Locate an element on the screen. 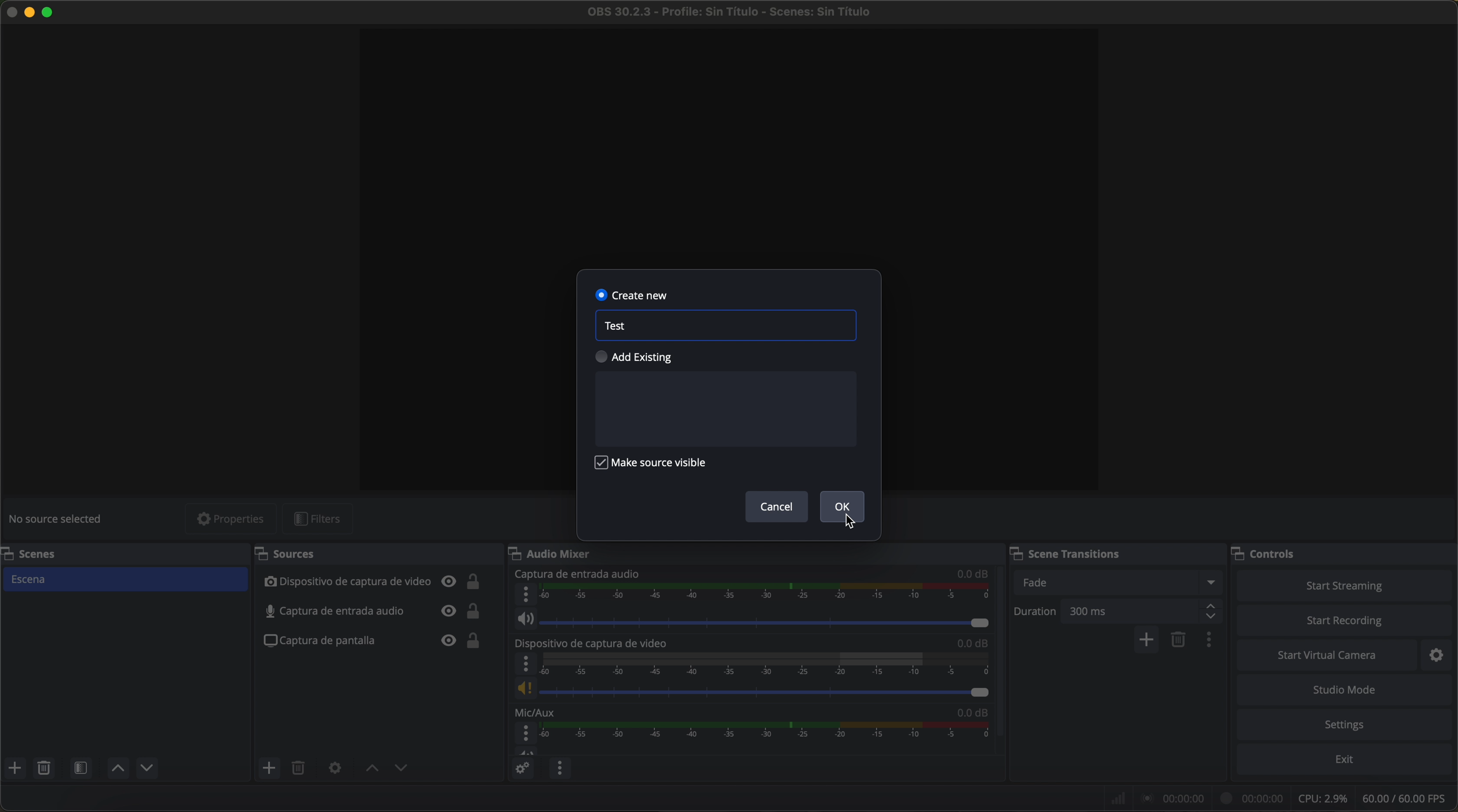 This screenshot has height=812, width=1458. transition properties is located at coordinates (1212, 641).